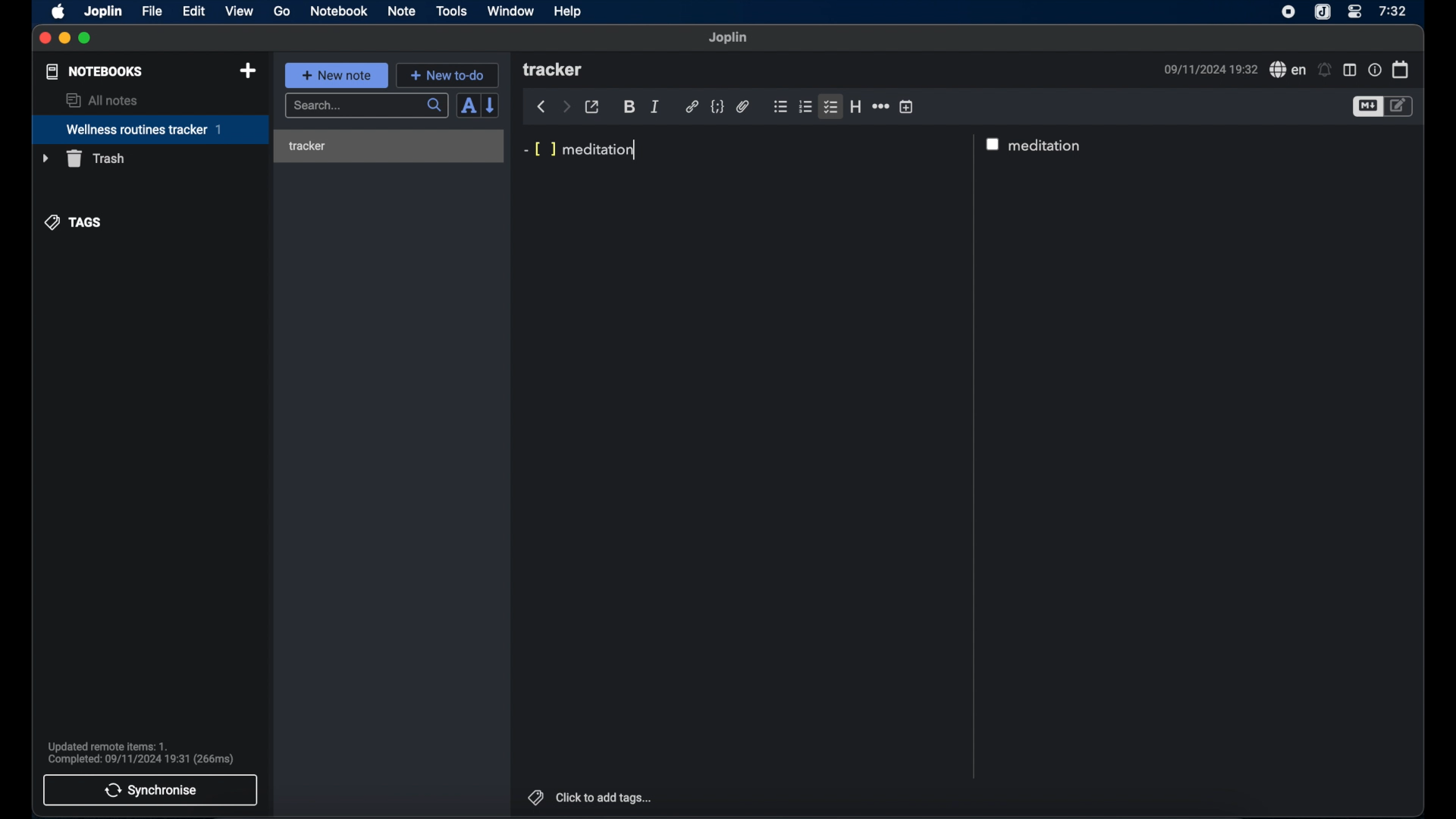 This screenshot has height=819, width=1456. What do you see at coordinates (1367, 106) in the screenshot?
I see `toggle editor` at bounding box center [1367, 106].